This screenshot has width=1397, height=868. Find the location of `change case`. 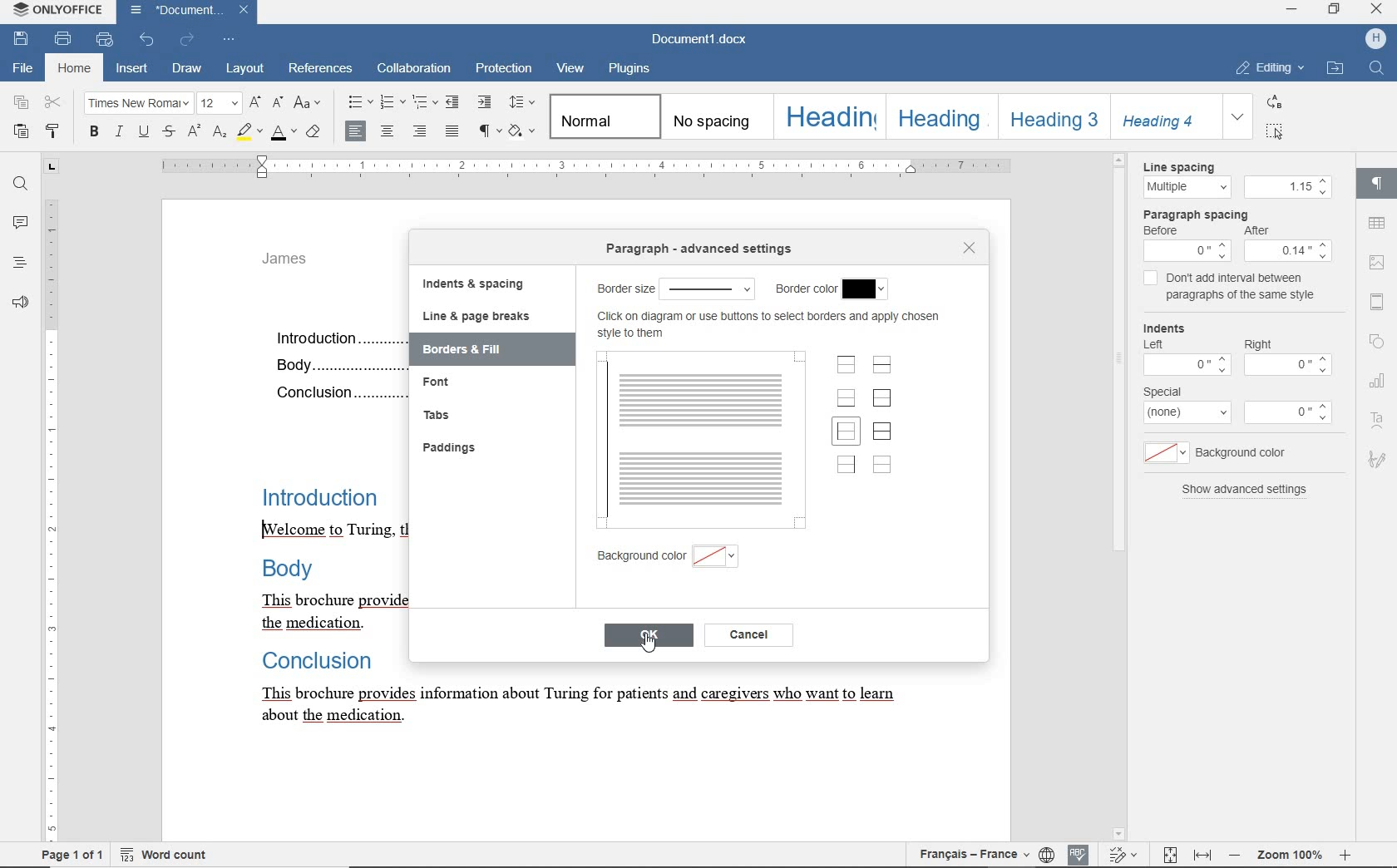

change case is located at coordinates (309, 102).